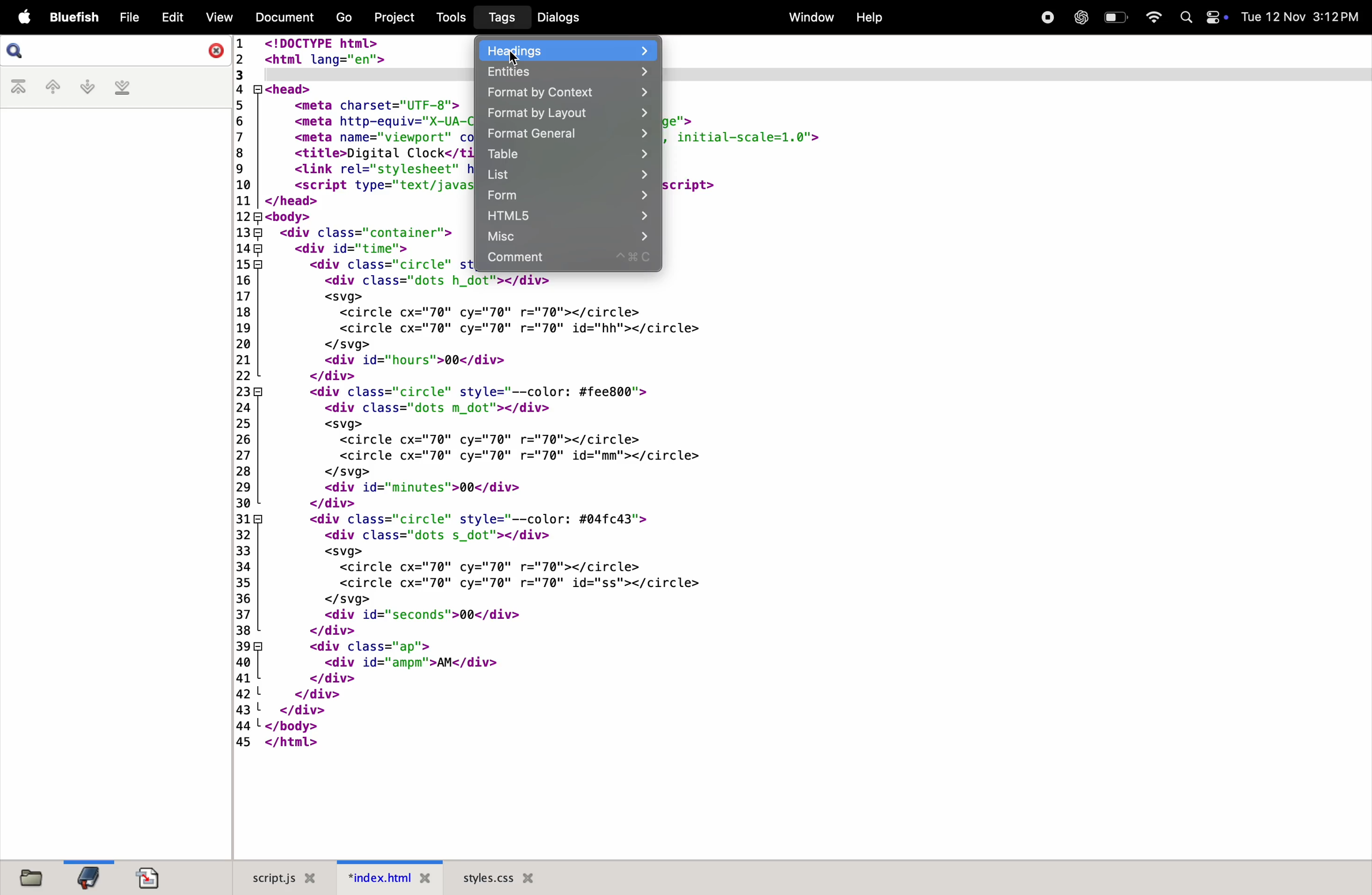  I want to click on apple menu, so click(22, 18).